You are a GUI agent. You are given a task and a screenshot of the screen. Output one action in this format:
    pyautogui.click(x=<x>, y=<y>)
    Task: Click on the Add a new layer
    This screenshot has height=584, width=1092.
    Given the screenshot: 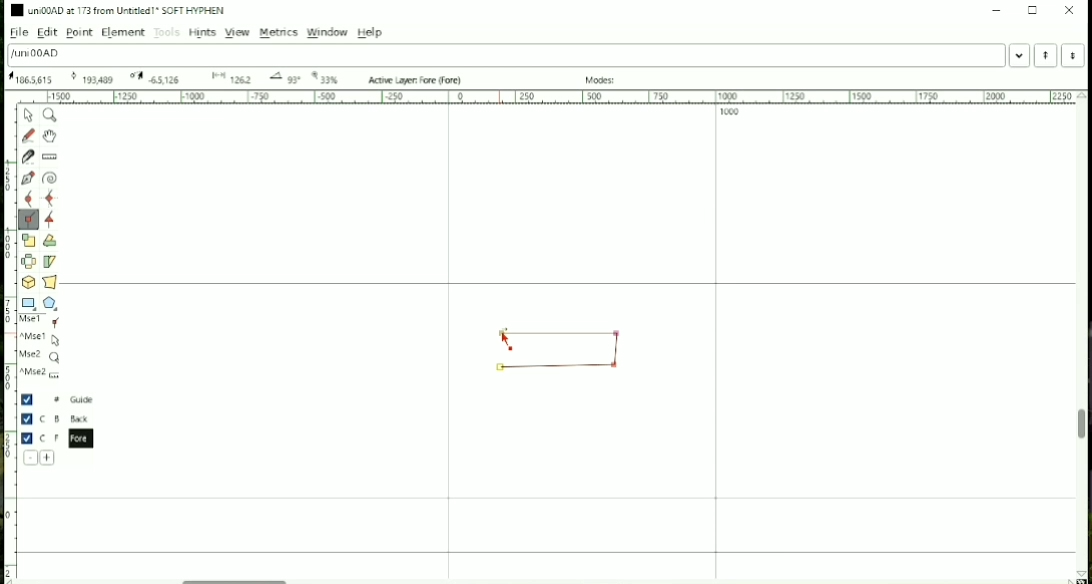 What is the action you would take?
    pyautogui.click(x=48, y=458)
    